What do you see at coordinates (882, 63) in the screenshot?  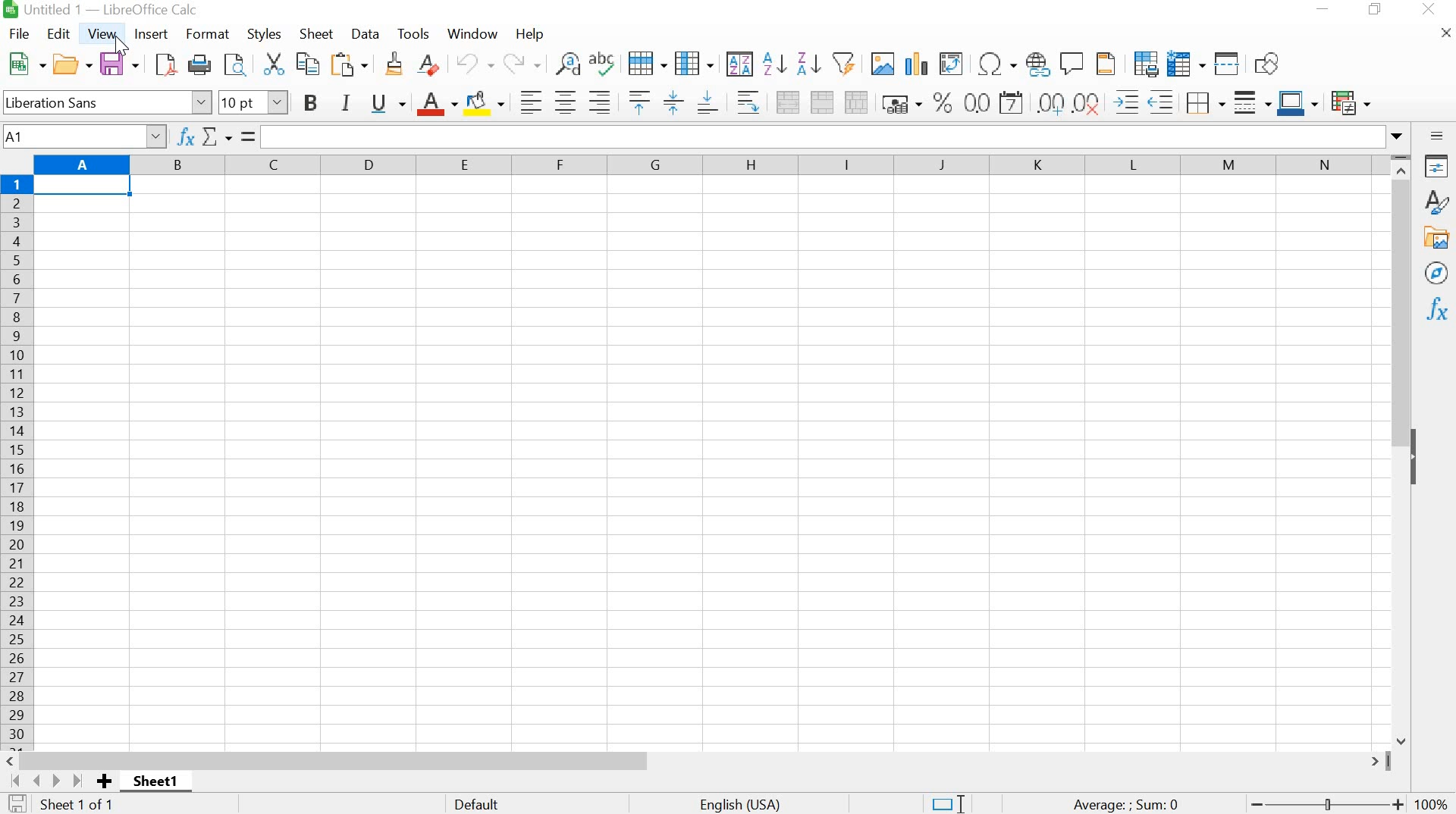 I see `IMAGE` at bounding box center [882, 63].